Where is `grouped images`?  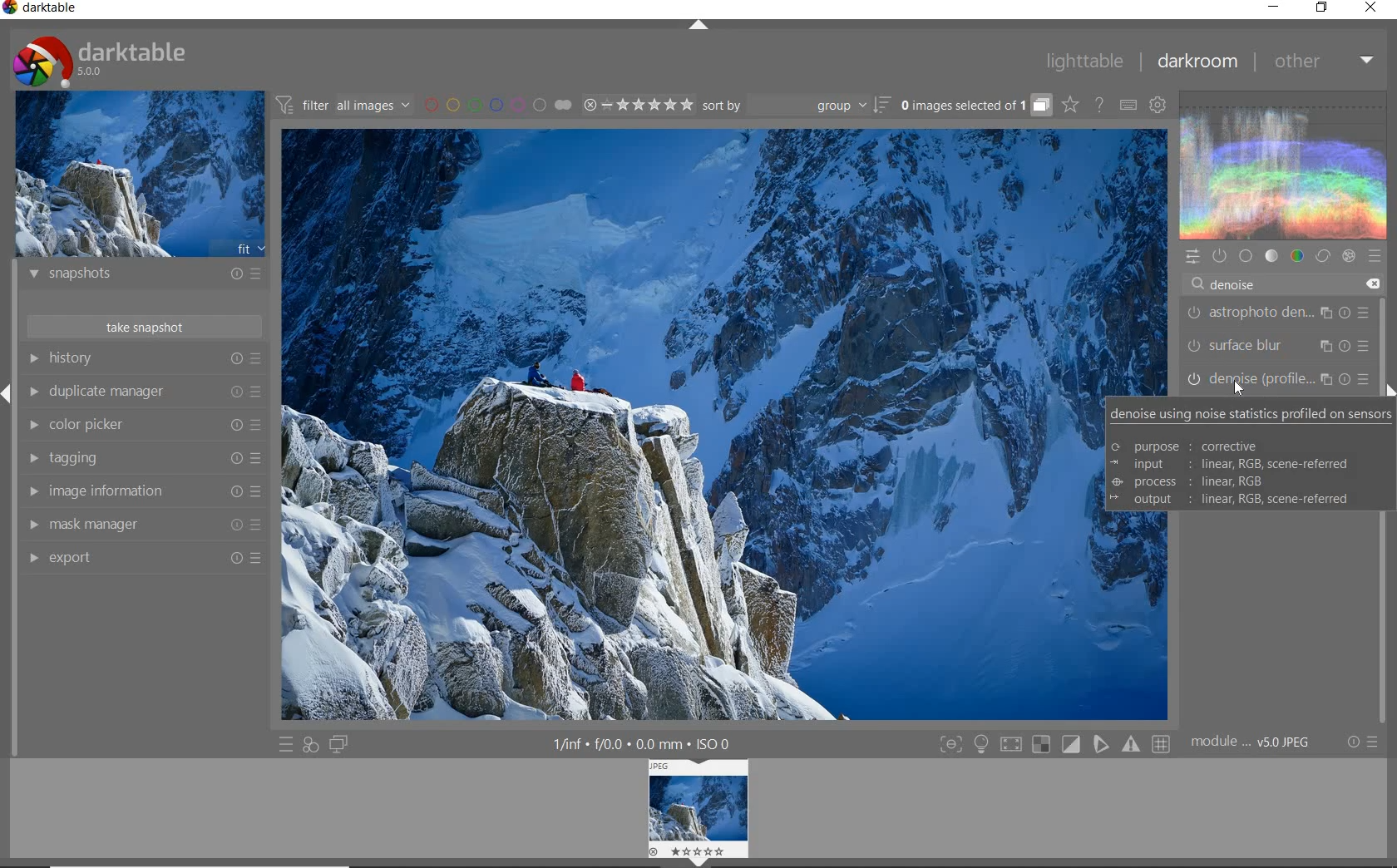 grouped images is located at coordinates (975, 105).